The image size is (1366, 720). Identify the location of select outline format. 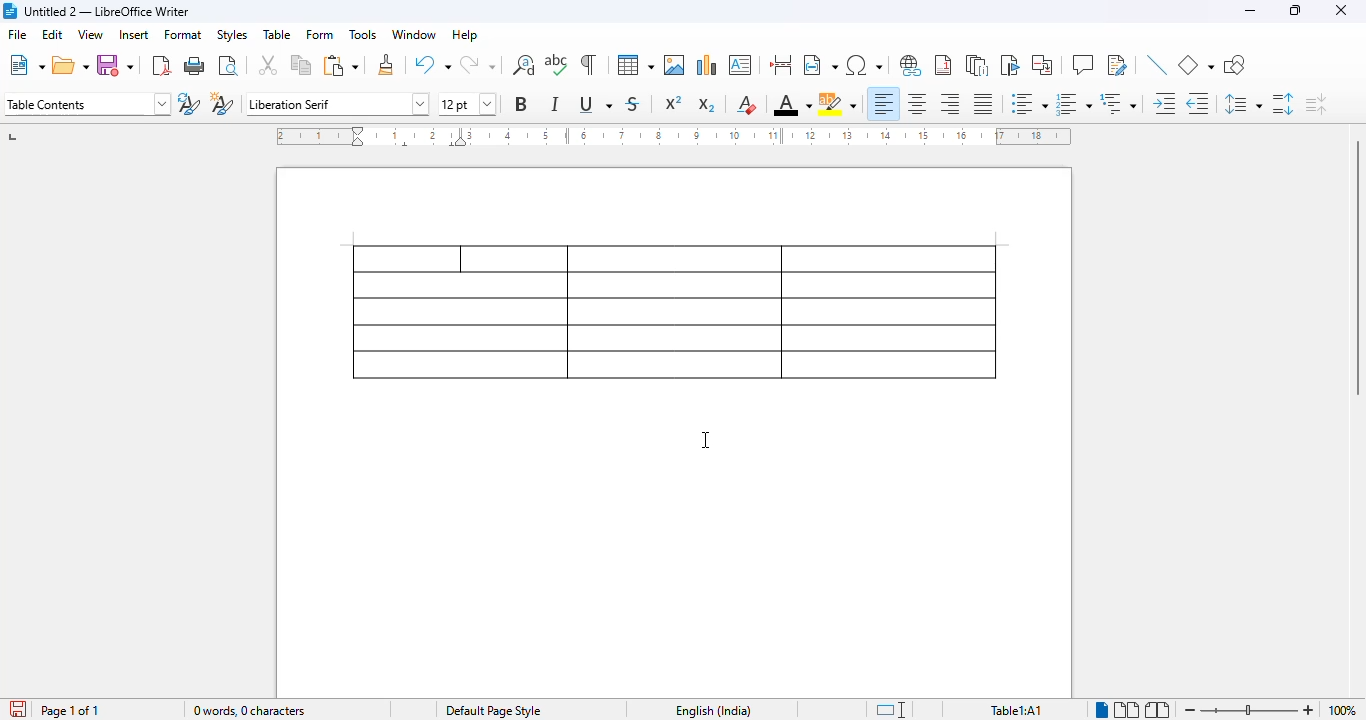
(1119, 103).